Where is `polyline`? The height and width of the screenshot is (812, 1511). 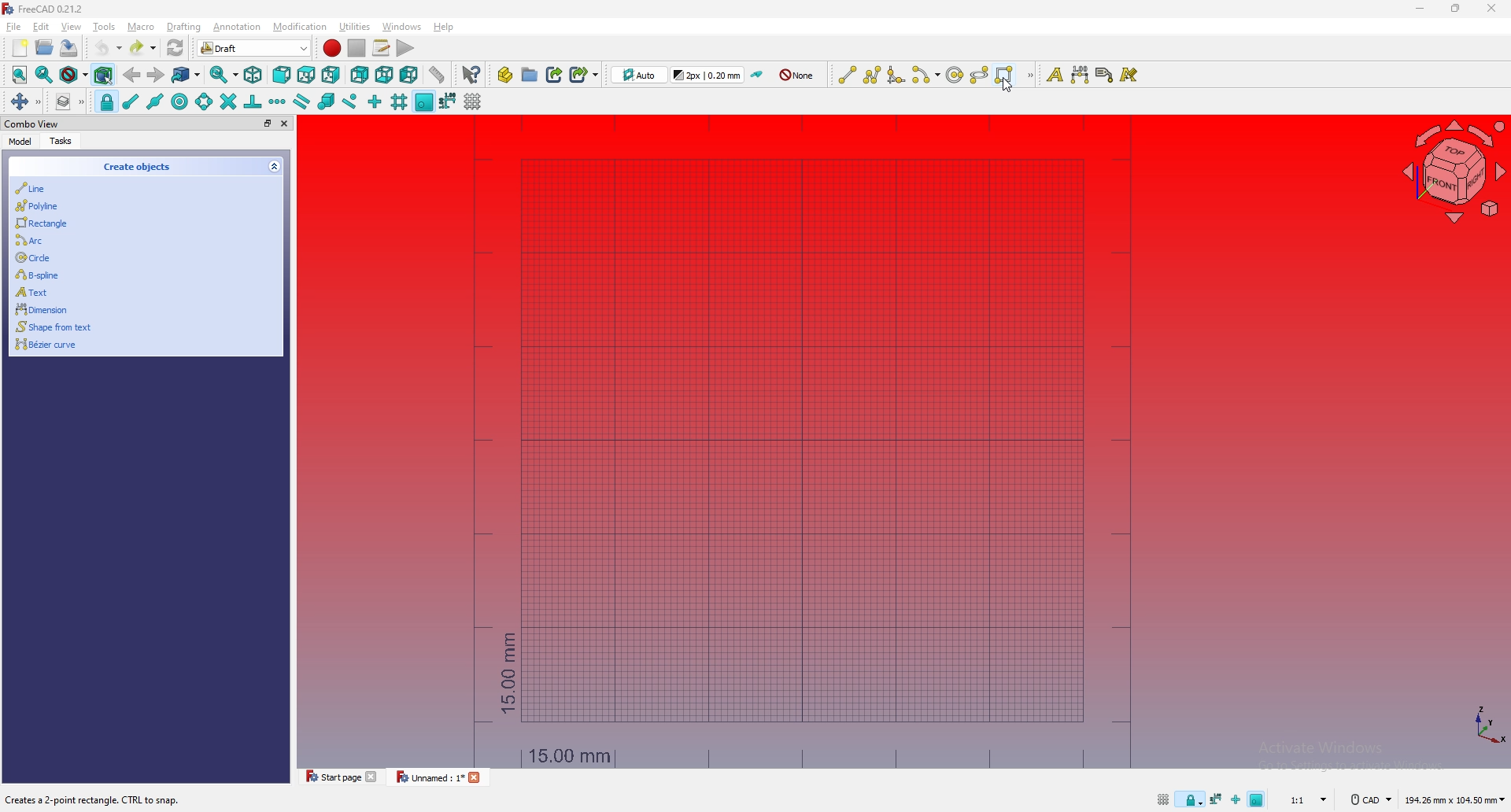 polyline is located at coordinates (872, 75).